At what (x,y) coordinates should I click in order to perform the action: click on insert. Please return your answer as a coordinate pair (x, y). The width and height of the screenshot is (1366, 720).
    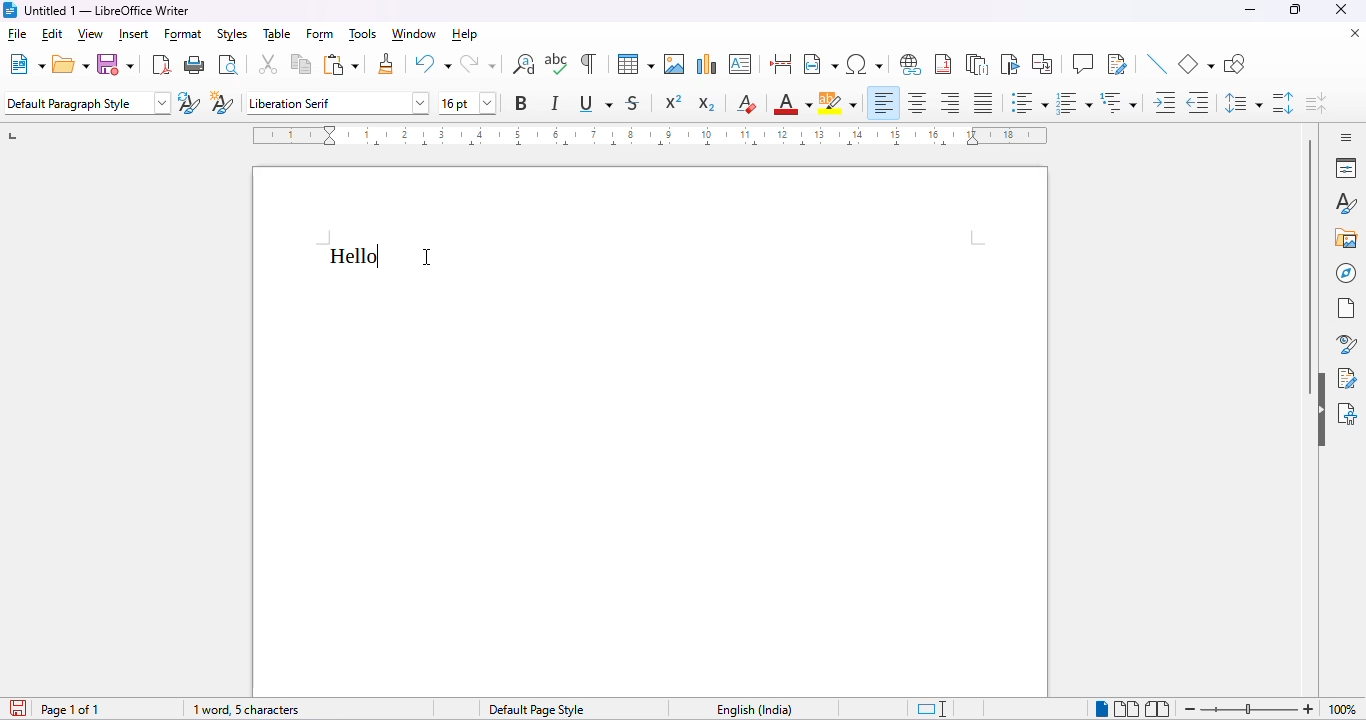
    Looking at the image, I should click on (133, 35).